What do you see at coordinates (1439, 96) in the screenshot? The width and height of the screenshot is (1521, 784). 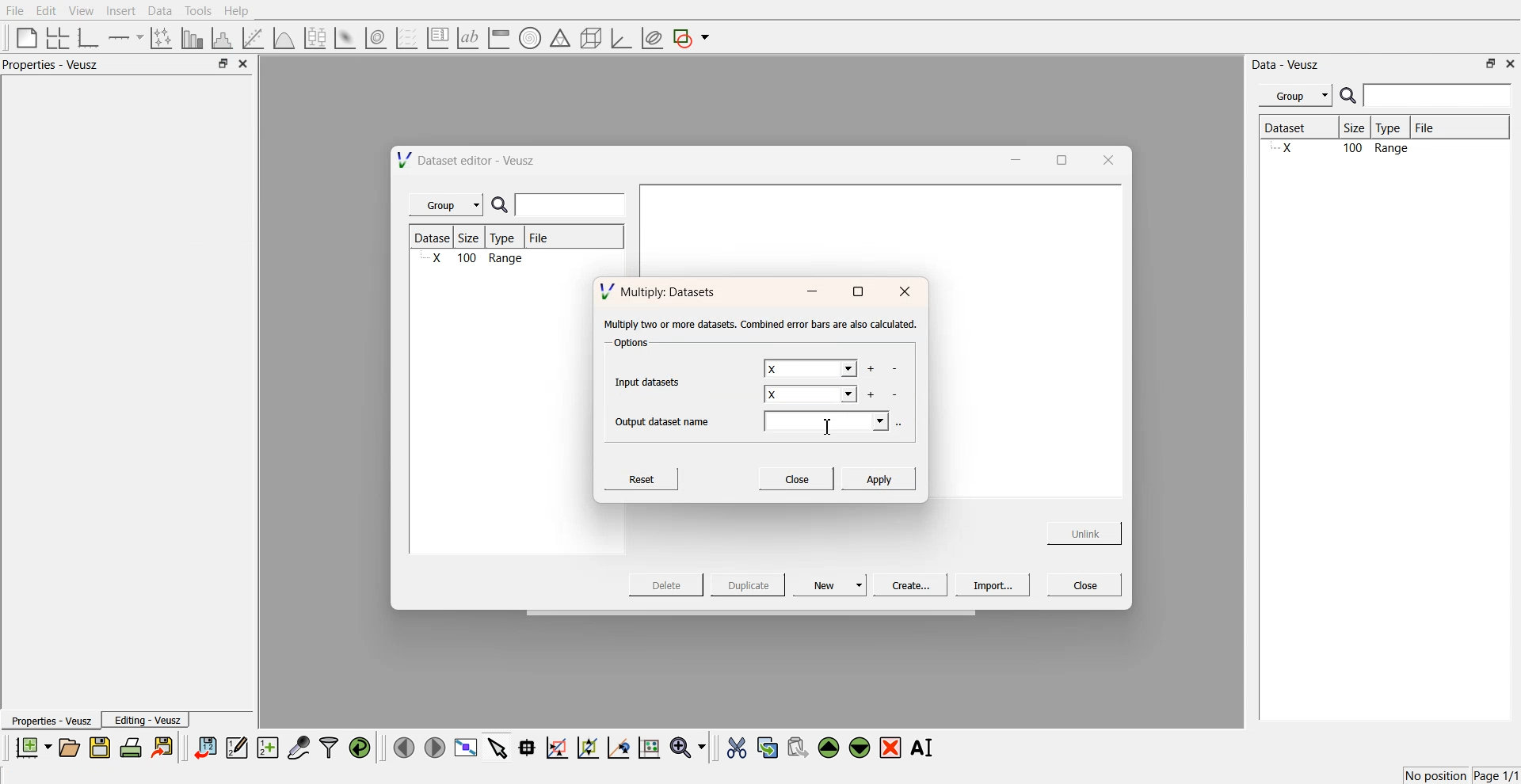 I see `enter search field` at bounding box center [1439, 96].